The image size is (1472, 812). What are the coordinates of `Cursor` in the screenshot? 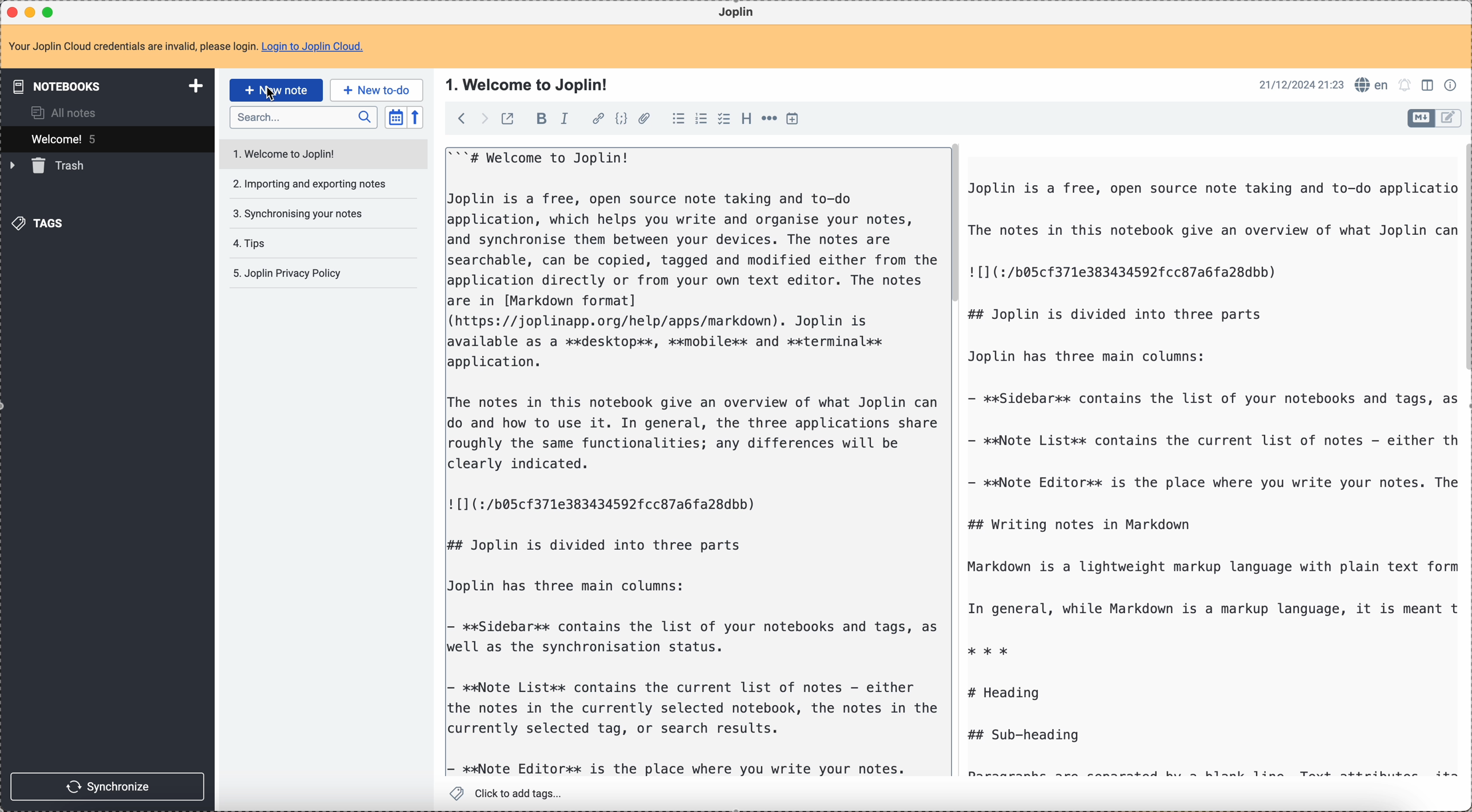 It's located at (270, 96).